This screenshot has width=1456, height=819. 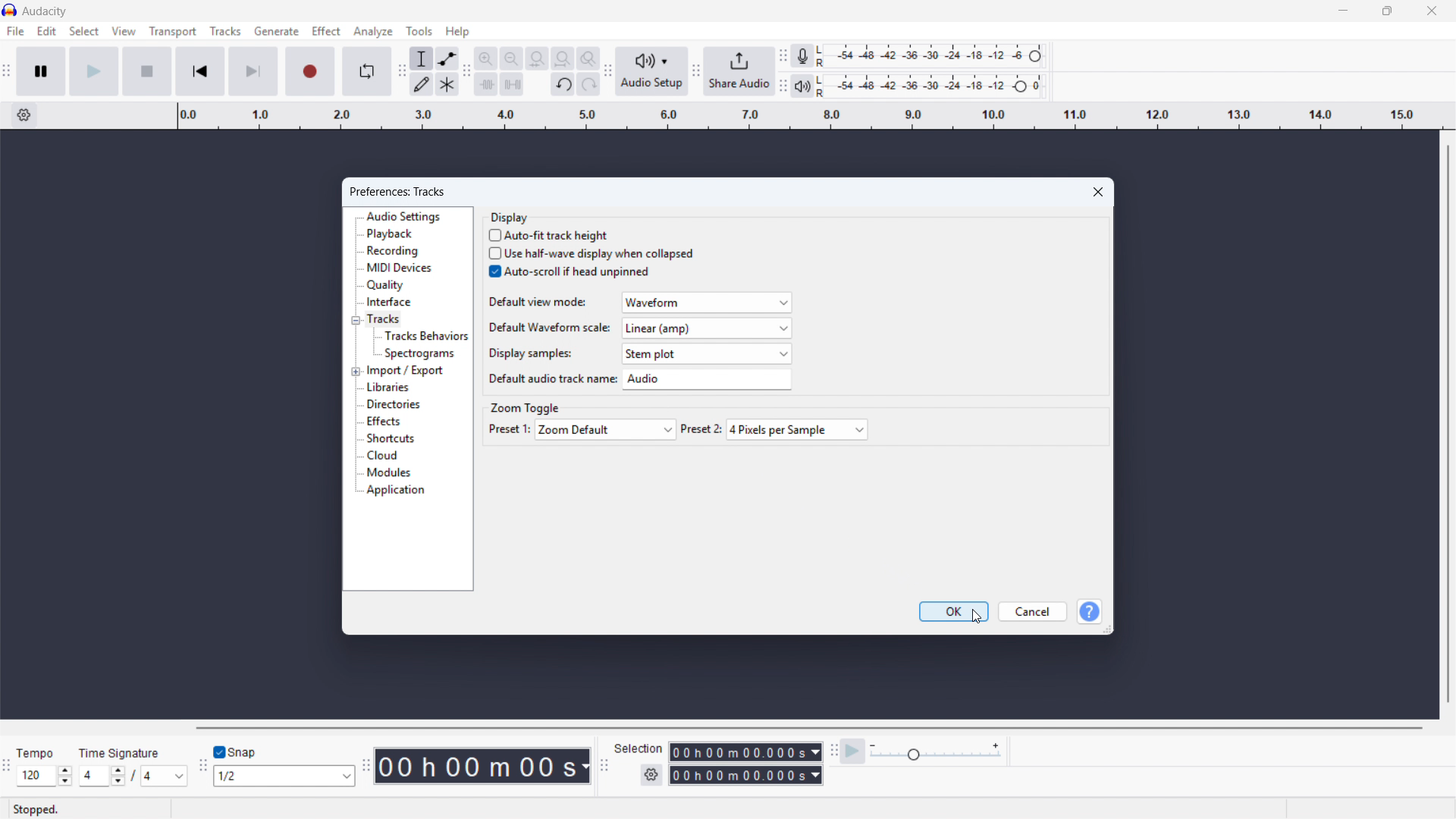 What do you see at coordinates (570, 271) in the screenshot?
I see `auto-scroll option ticked` at bounding box center [570, 271].